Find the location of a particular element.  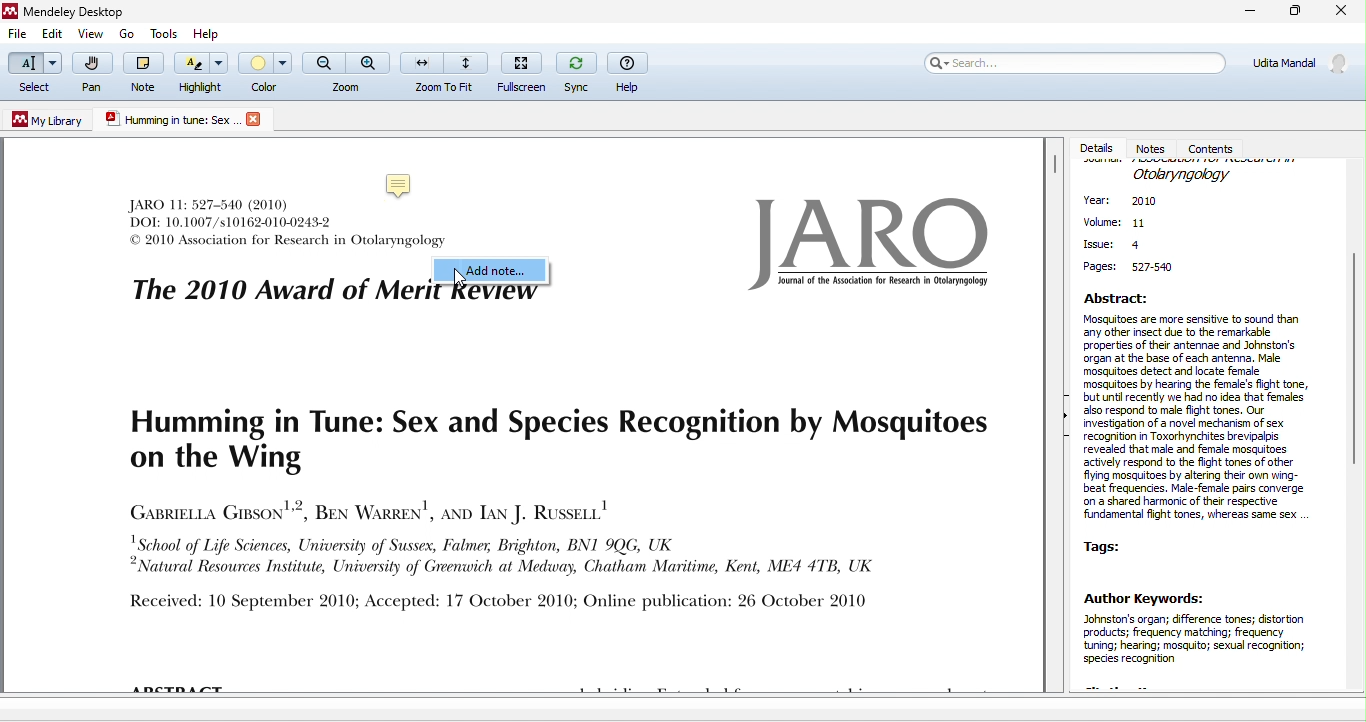

highlight is located at coordinates (201, 74).